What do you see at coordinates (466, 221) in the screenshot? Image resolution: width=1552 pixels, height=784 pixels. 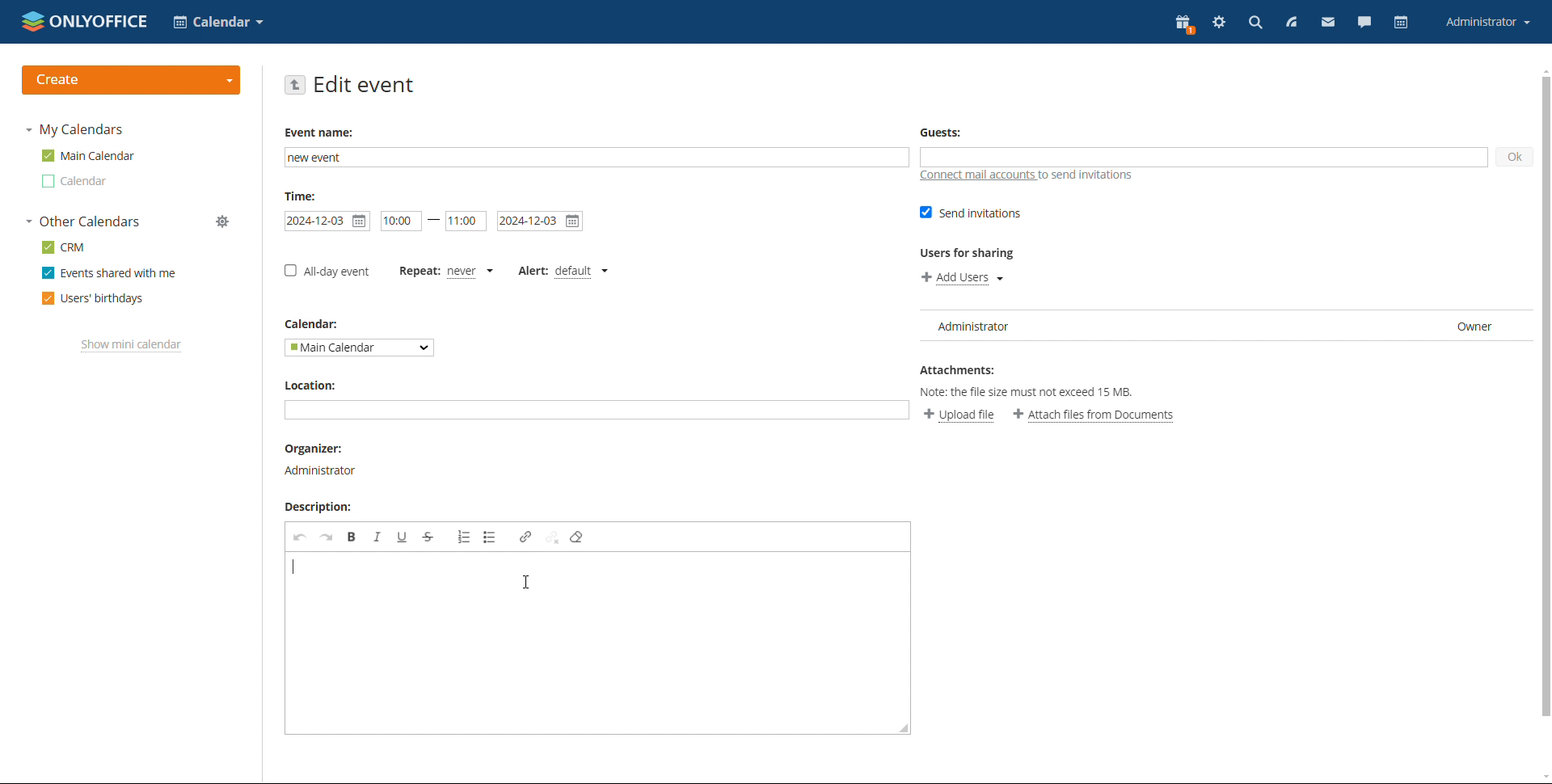 I see `end time` at bounding box center [466, 221].